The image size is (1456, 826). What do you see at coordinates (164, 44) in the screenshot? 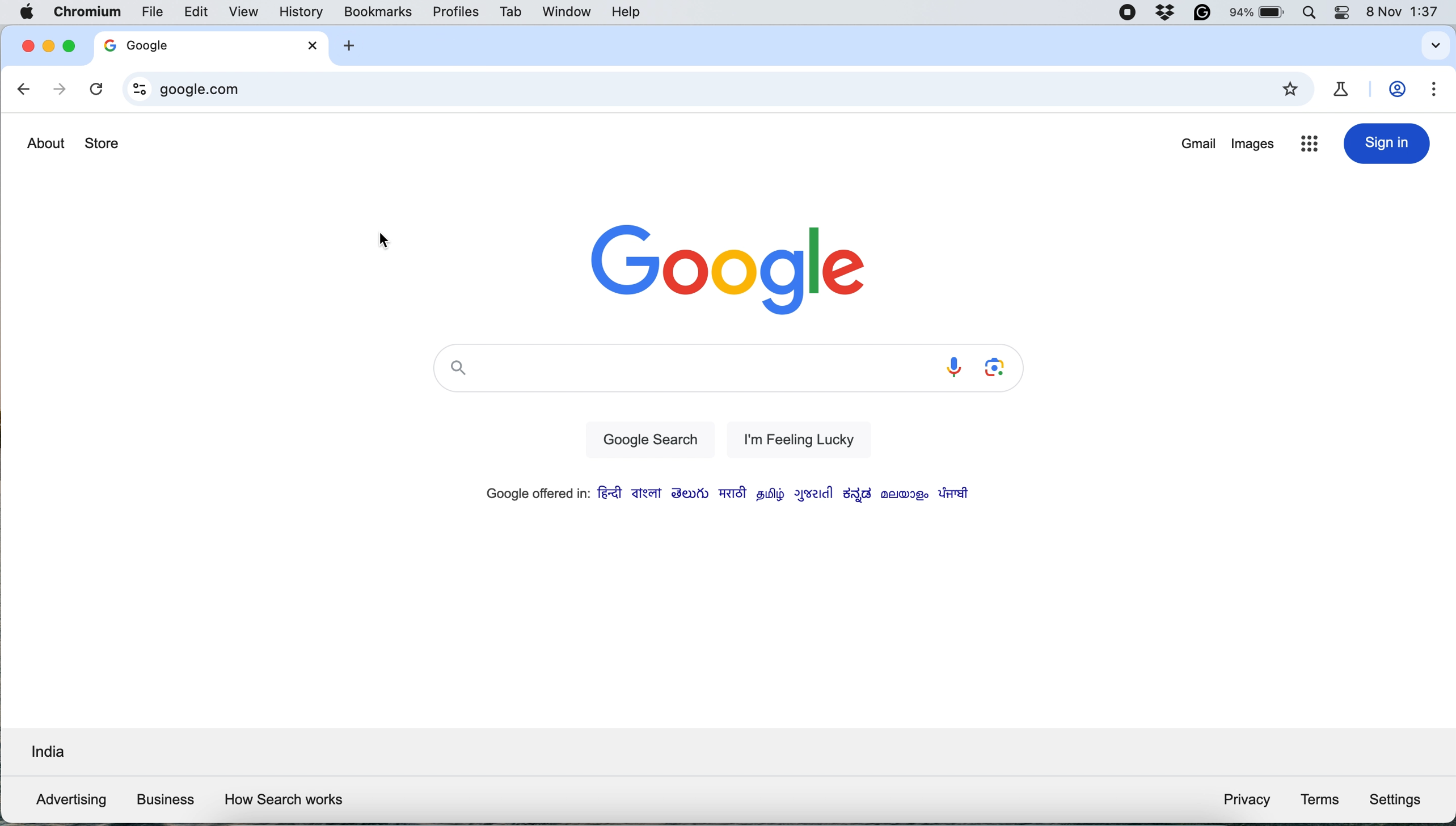
I see `google` at bounding box center [164, 44].